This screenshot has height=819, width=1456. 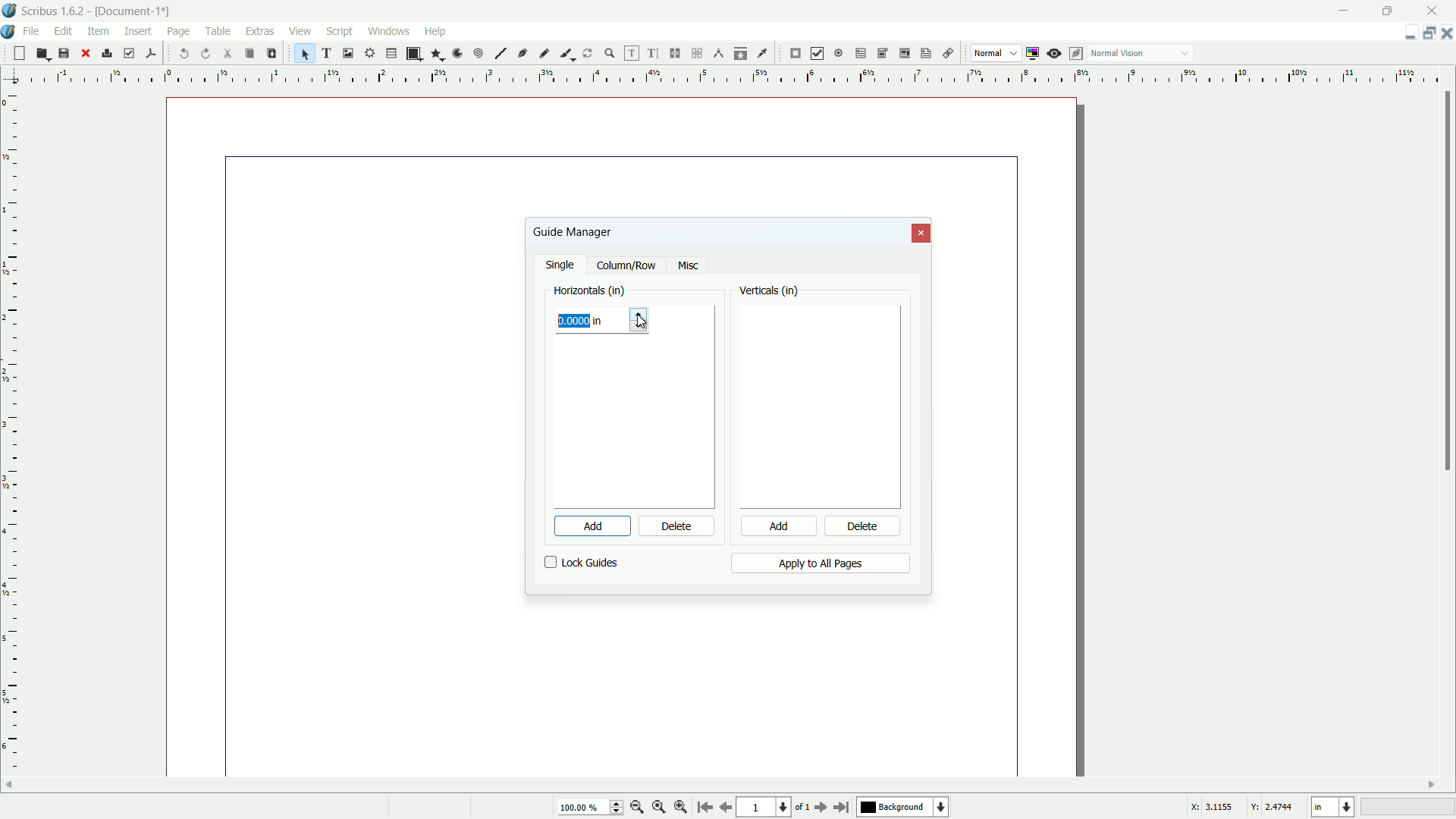 What do you see at coordinates (881, 52) in the screenshot?
I see `pdf combo box` at bounding box center [881, 52].